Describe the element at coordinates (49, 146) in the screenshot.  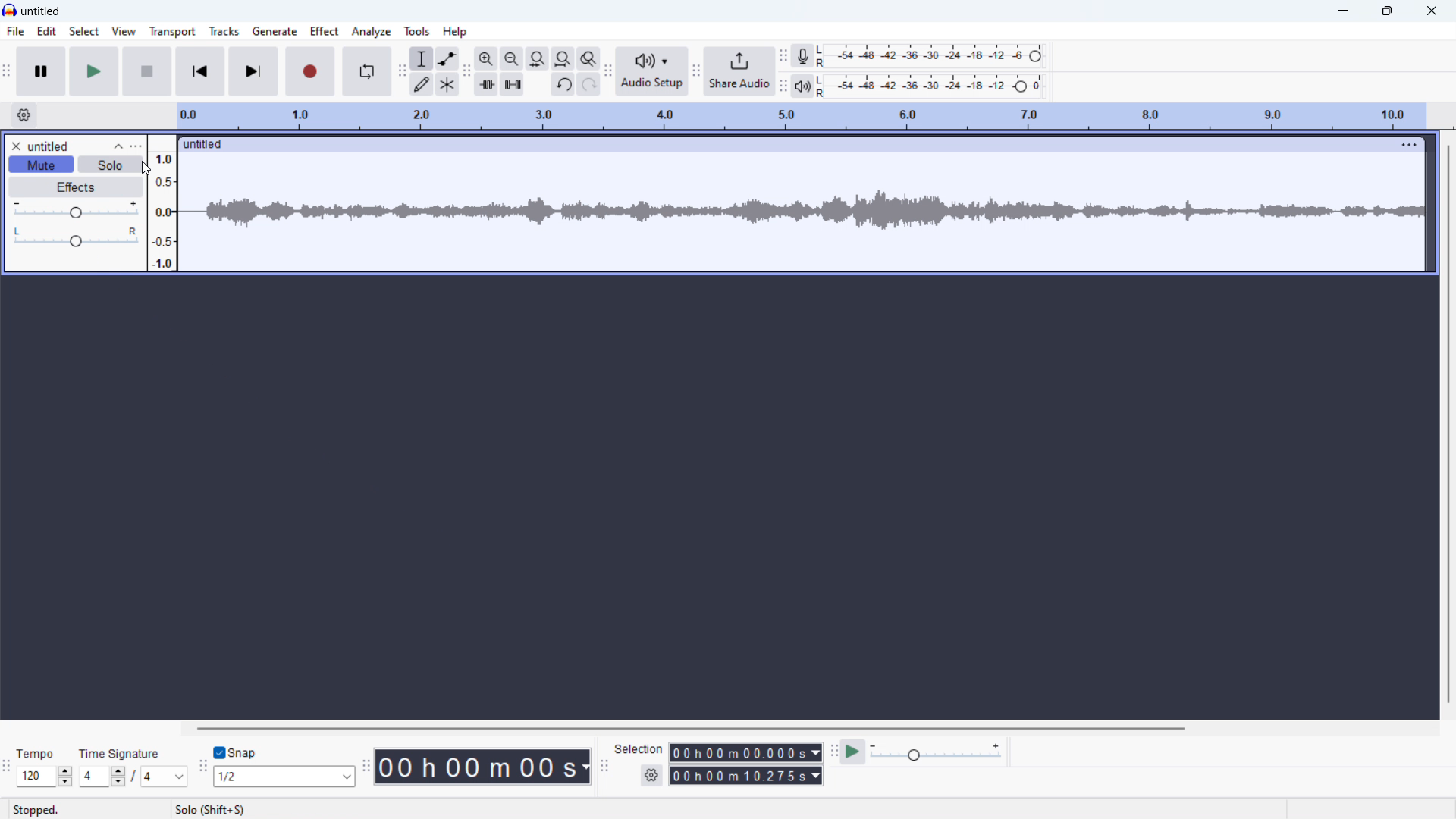
I see `track title` at that location.